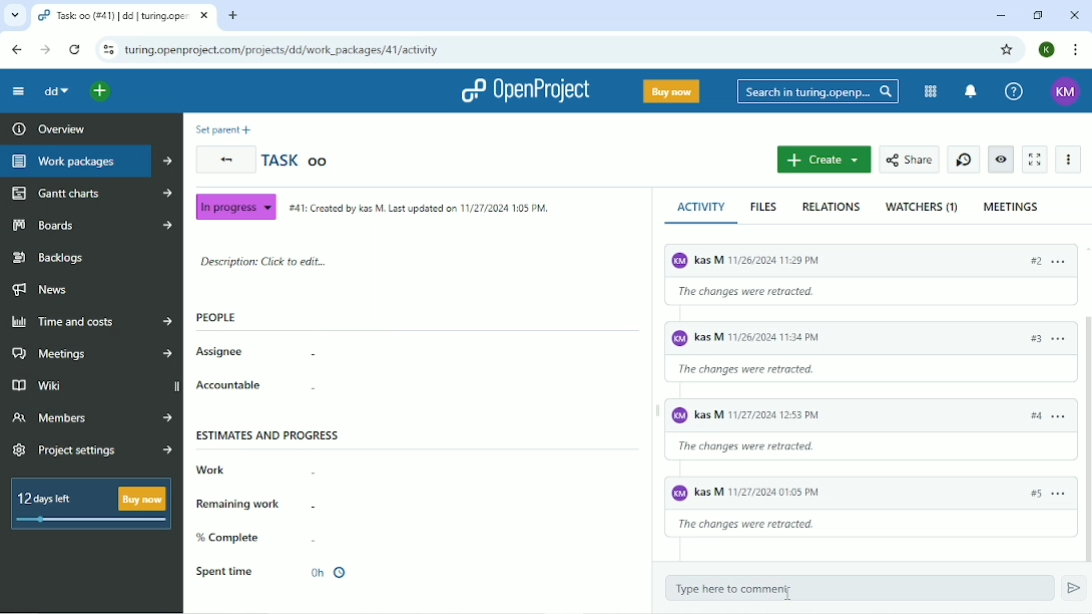 The width and height of the screenshot is (1092, 614). Describe the element at coordinates (296, 159) in the screenshot. I see `Task oo` at that location.